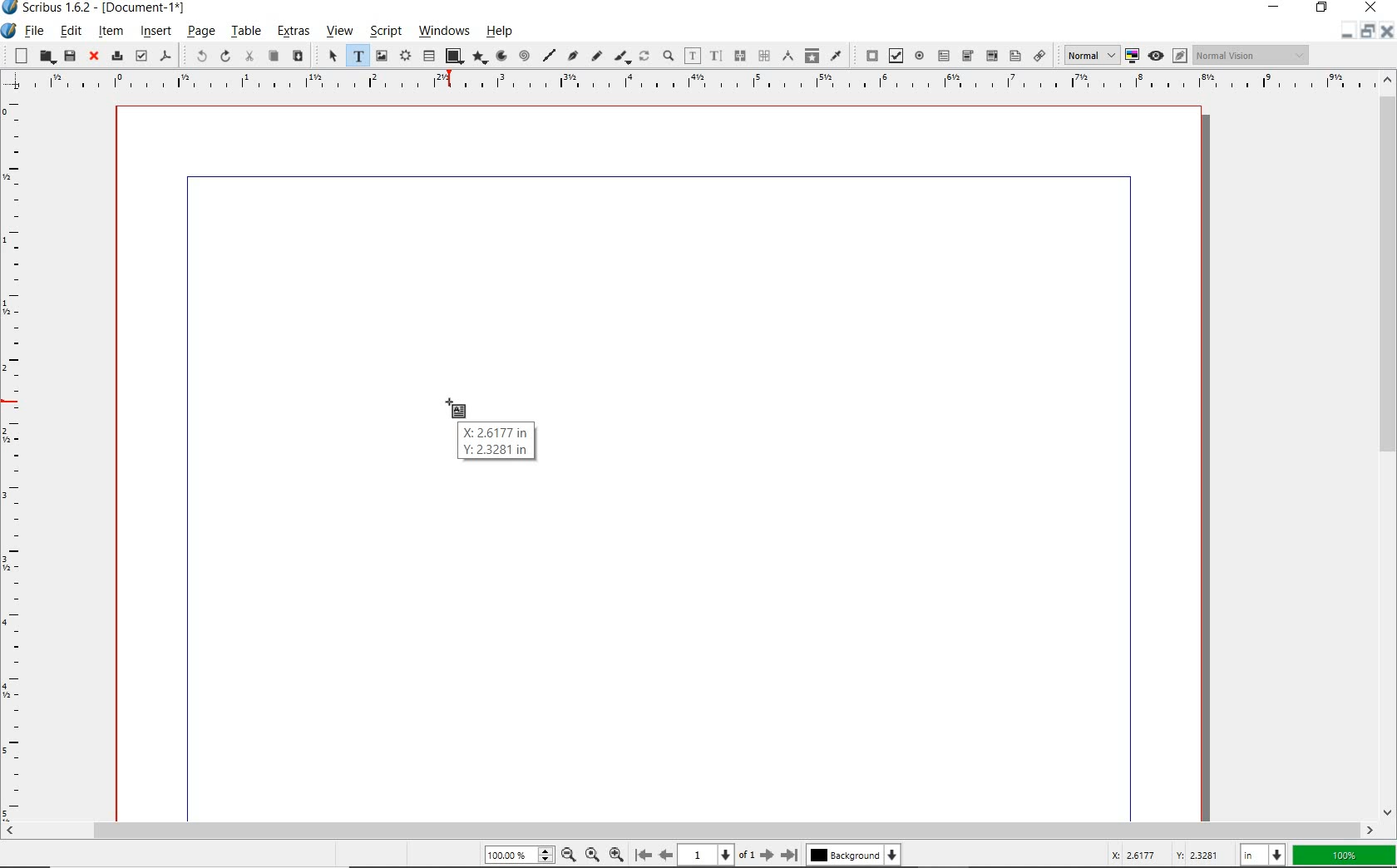 The image size is (1397, 868). What do you see at coordinates (668, 57) in the screenshot?
I see `zoom in or zoom out` at bounding box center [668, 57].